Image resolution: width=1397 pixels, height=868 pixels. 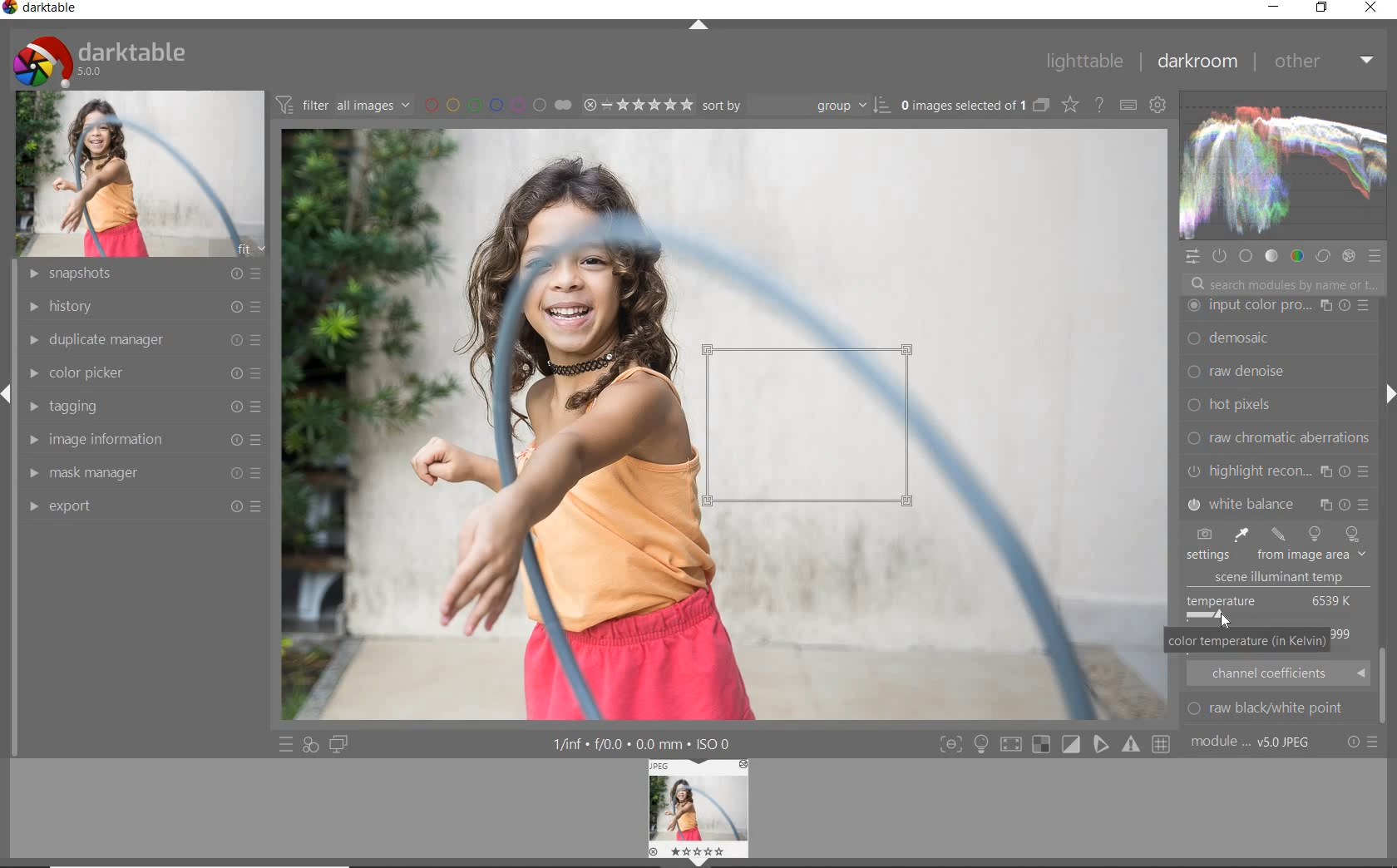 What do you see at coordinates (726, 425) in the screenshot?
I see `image selected` at bounding box center [726, 425].